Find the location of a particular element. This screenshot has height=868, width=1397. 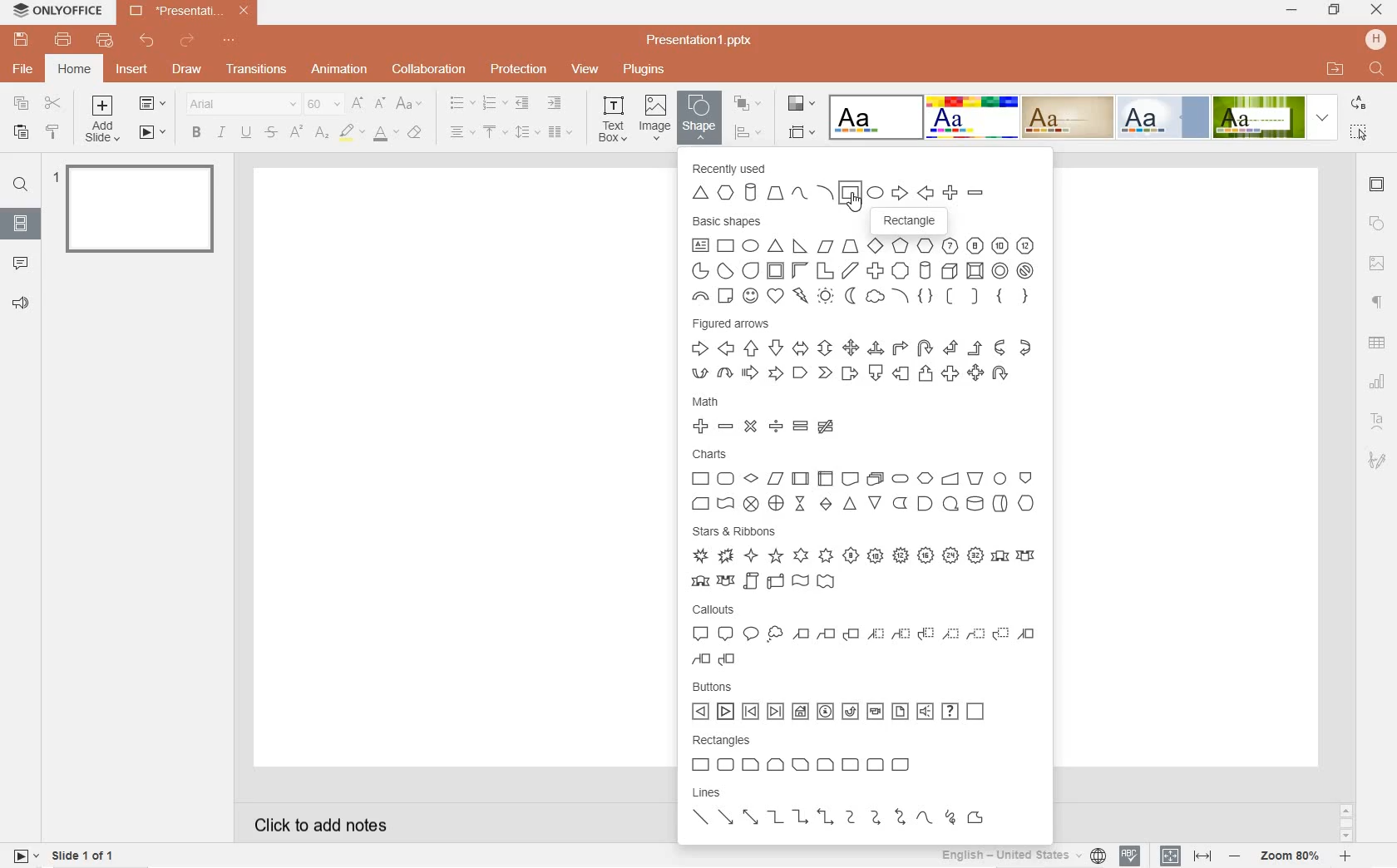

file is located at coordinates (24, 69).